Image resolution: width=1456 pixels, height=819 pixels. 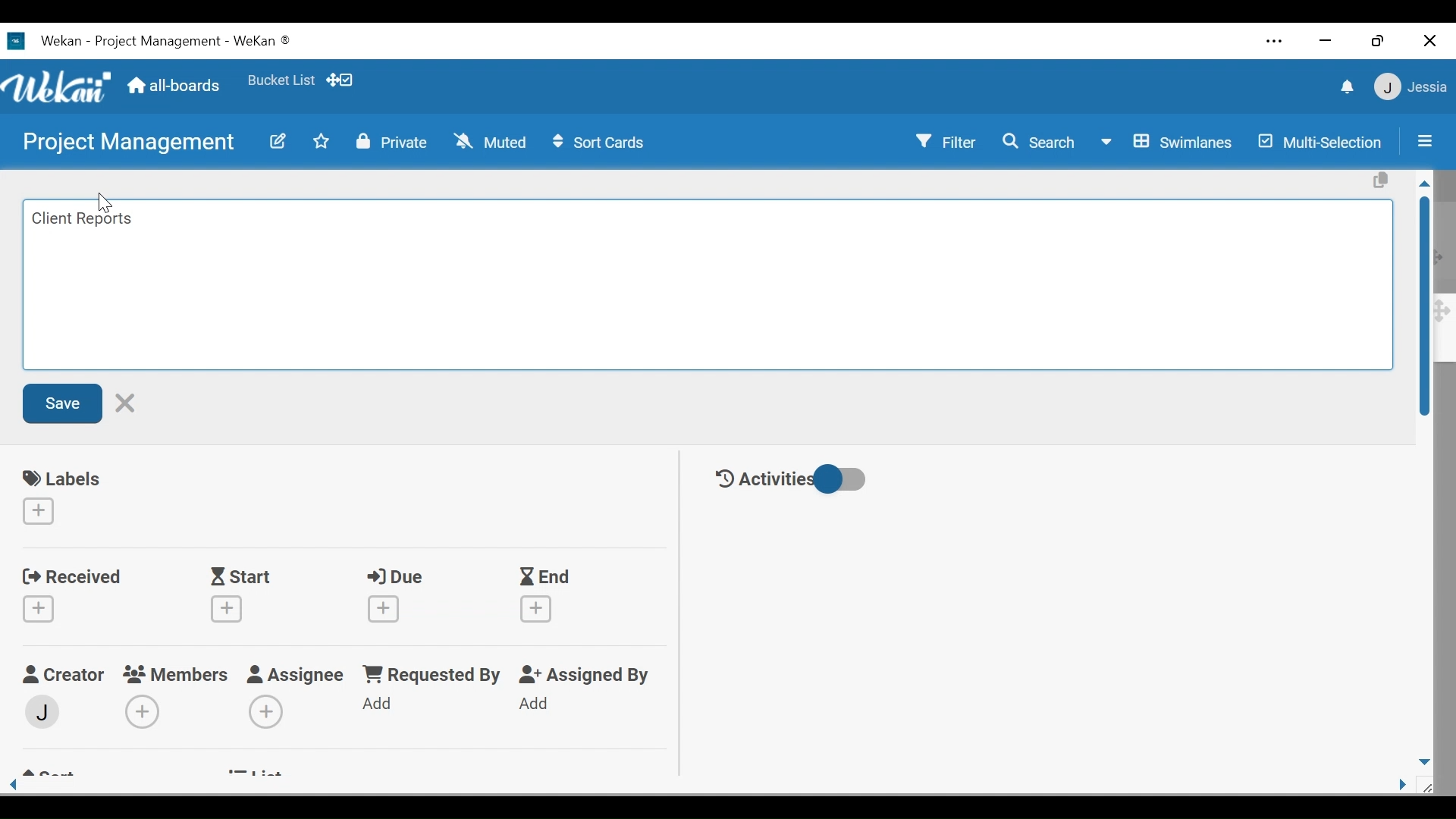 What do you see at coordinates (280, 80) in the screenshot?
I see `Toggle favorites` at bounding box center [280, 80].